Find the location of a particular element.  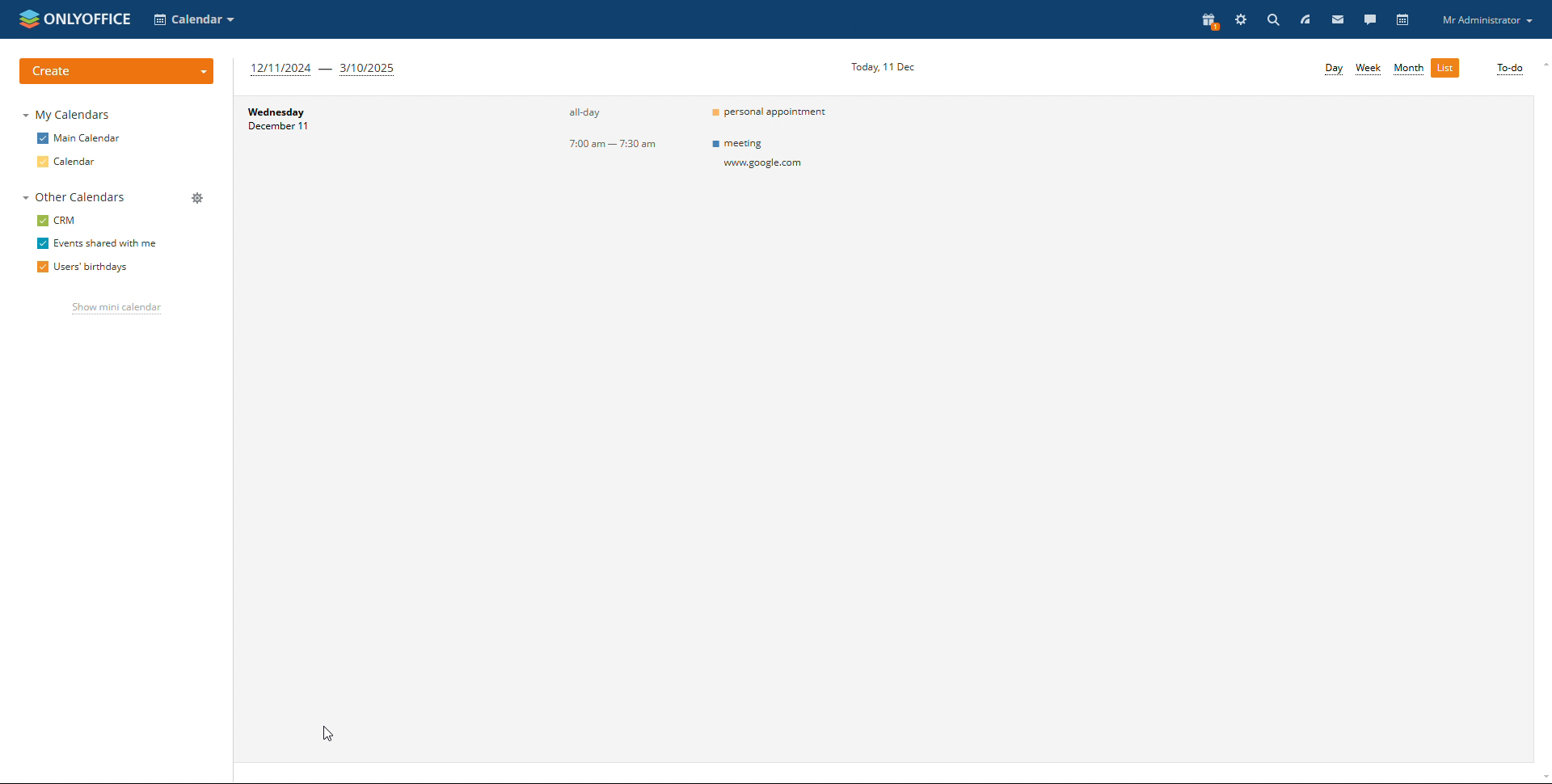

other calendar is located at coordinates (74, 196).